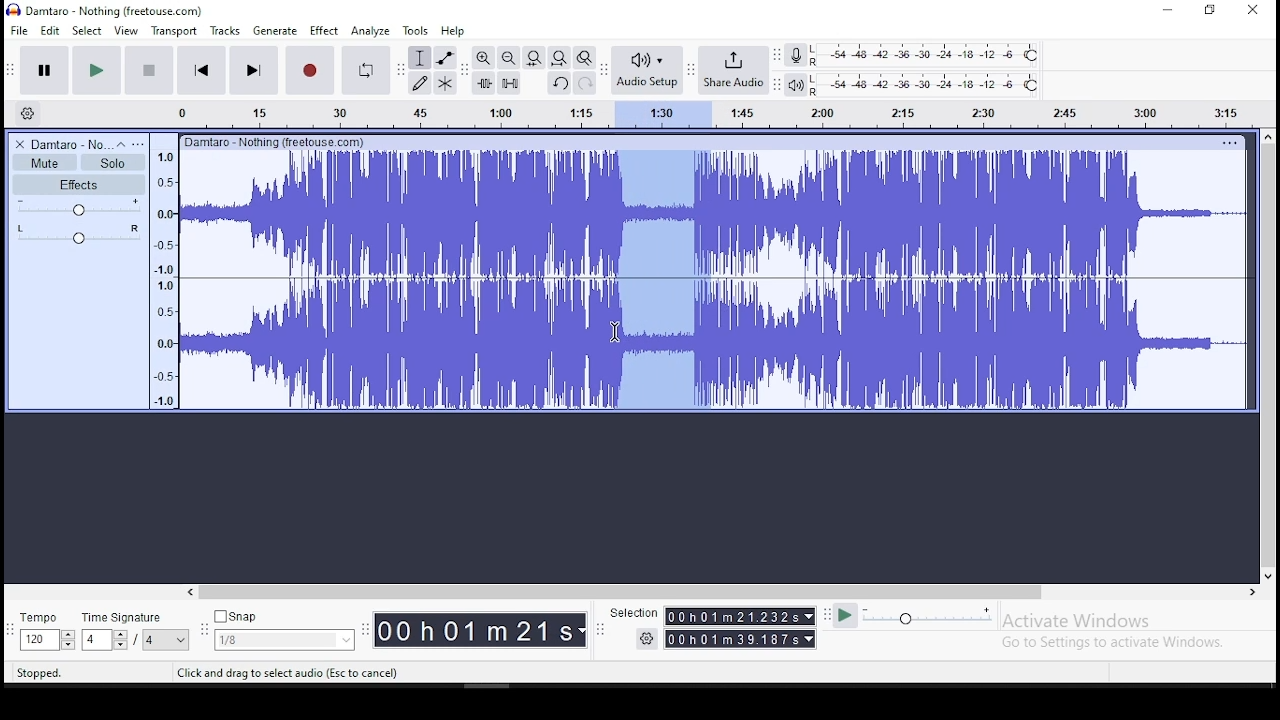 This screenshot has width=1280, height=720. I want to click on zoom out, so click(508, 57).